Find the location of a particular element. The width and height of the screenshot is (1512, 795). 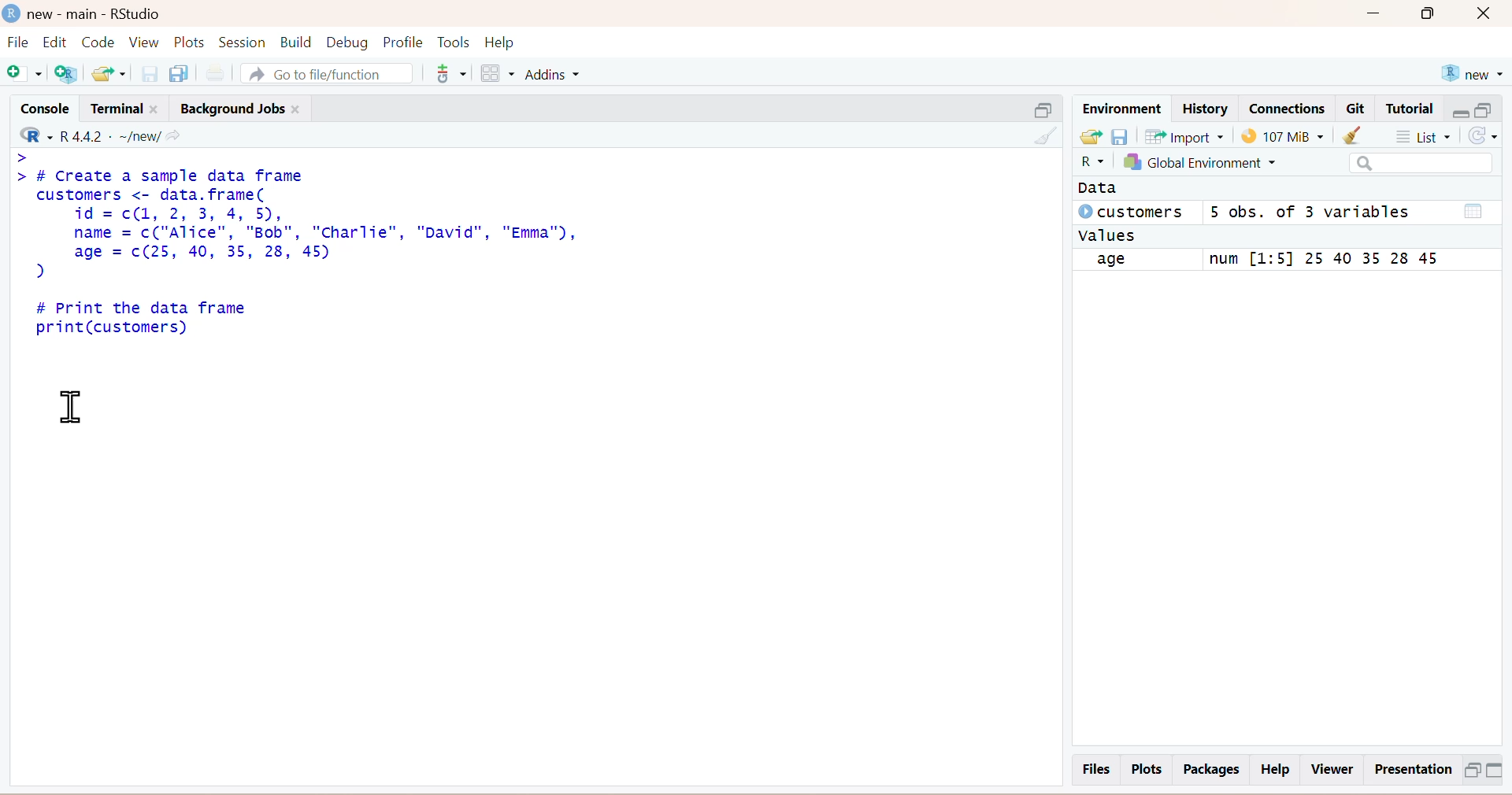

New file is located at coordinates (25, 73).